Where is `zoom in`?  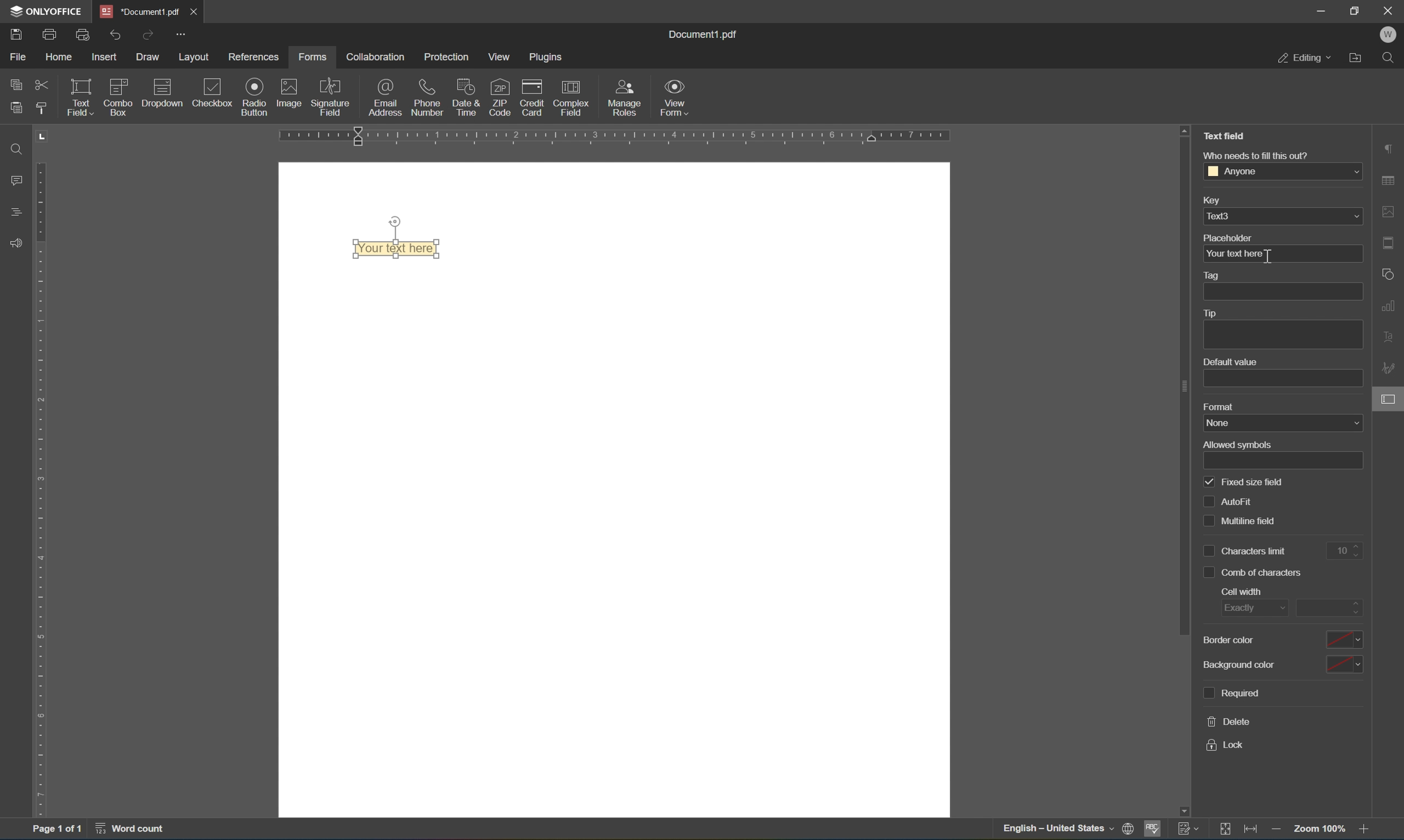
zoom in is located at coordinates (1369, 832).